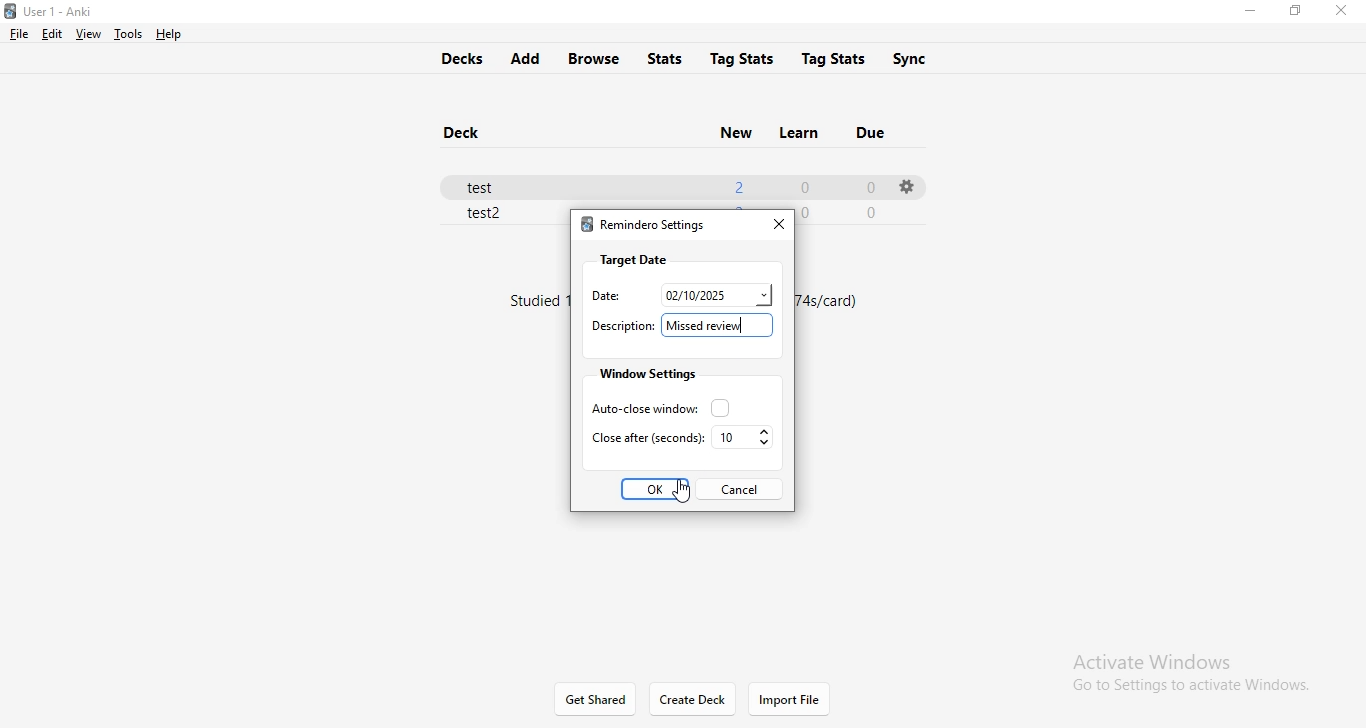 The width and height of the screenshot is (1366, 728). I want to click on sync, so click(923, 59).